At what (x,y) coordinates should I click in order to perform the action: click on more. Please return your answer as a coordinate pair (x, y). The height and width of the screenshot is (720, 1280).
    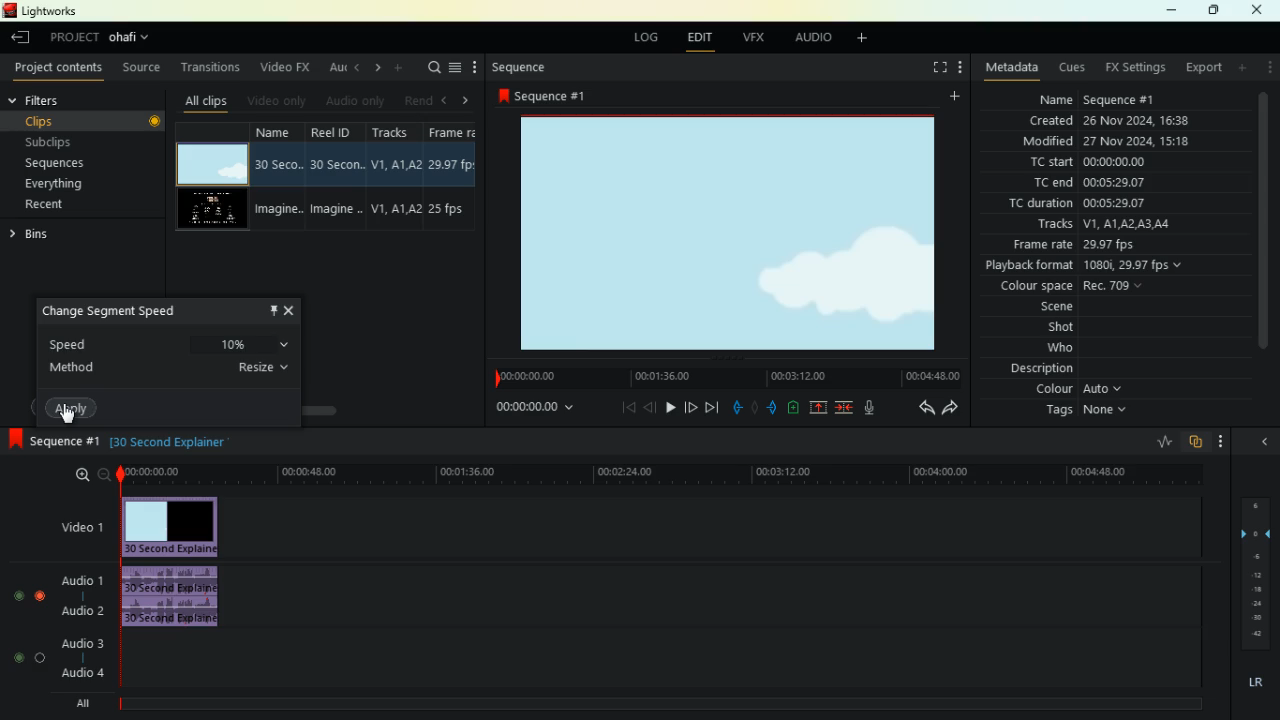
    Looking at the image, I should click on (1271, 67).